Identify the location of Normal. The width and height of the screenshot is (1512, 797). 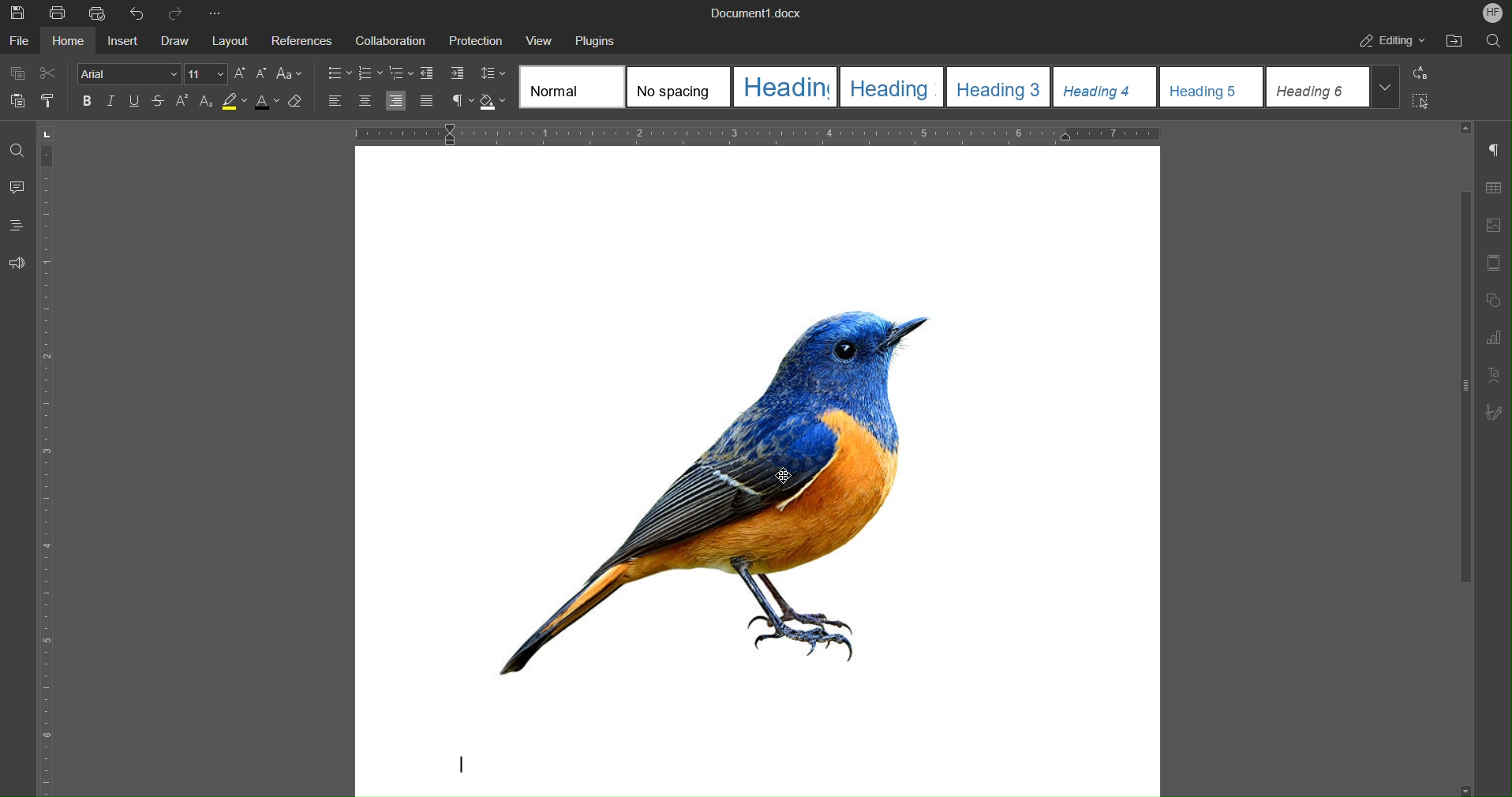
(572, 87).